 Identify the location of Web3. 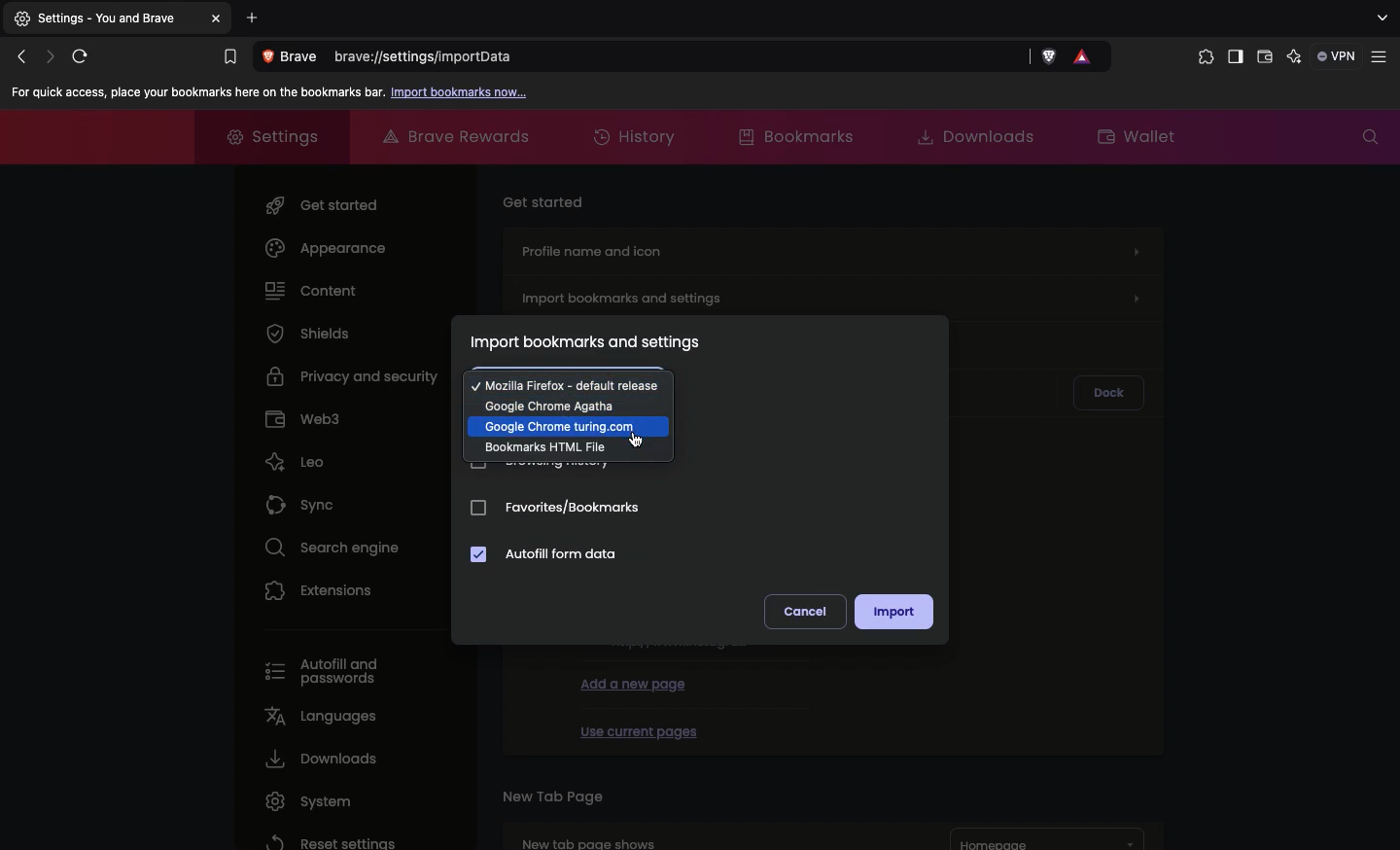
(303, 416).